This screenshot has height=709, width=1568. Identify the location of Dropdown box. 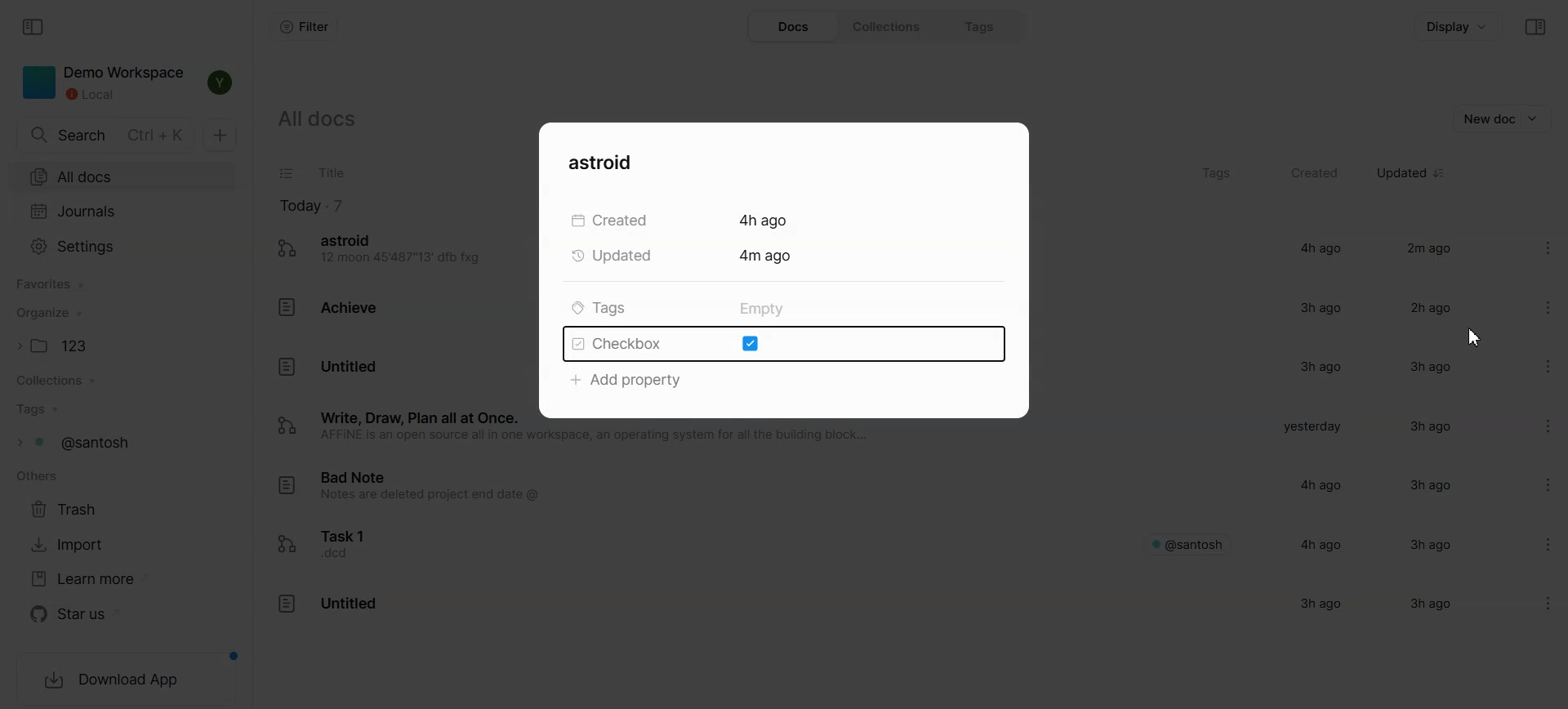
(1536, 118).